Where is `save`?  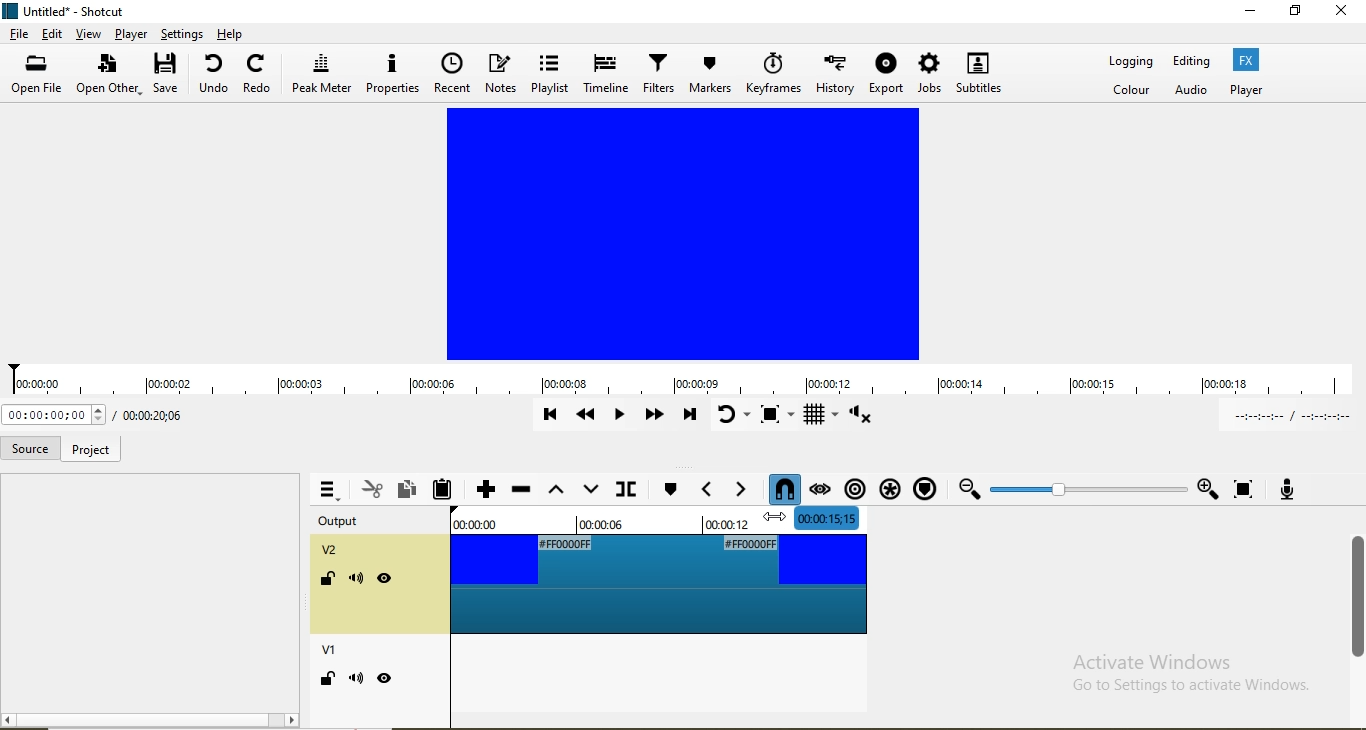
save is located at coordinates (169, 76).